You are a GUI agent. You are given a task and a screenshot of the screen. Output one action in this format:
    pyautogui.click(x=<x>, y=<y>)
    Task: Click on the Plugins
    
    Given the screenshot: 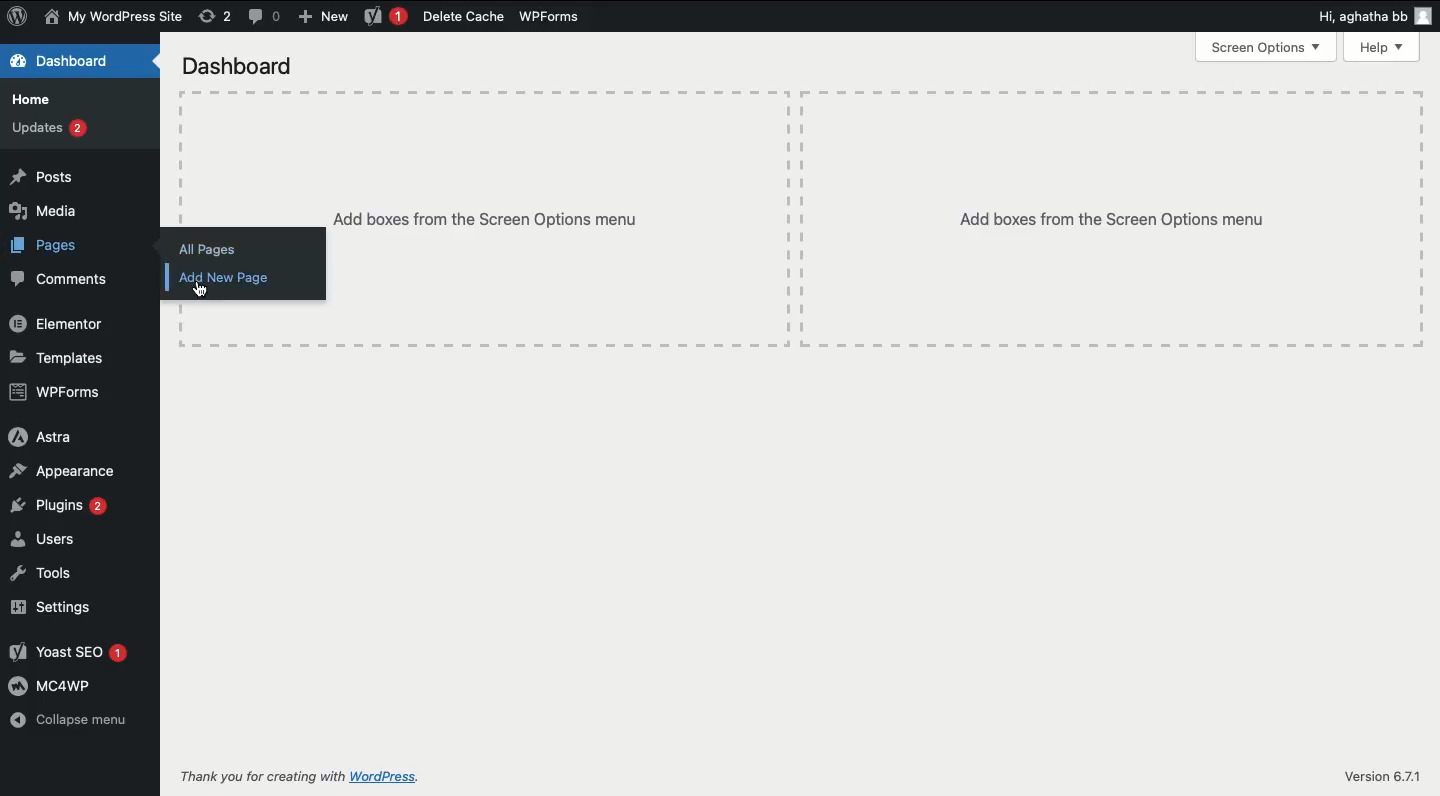 What is the action you would take?
    pyautogui.click(x=57, y=506)
    